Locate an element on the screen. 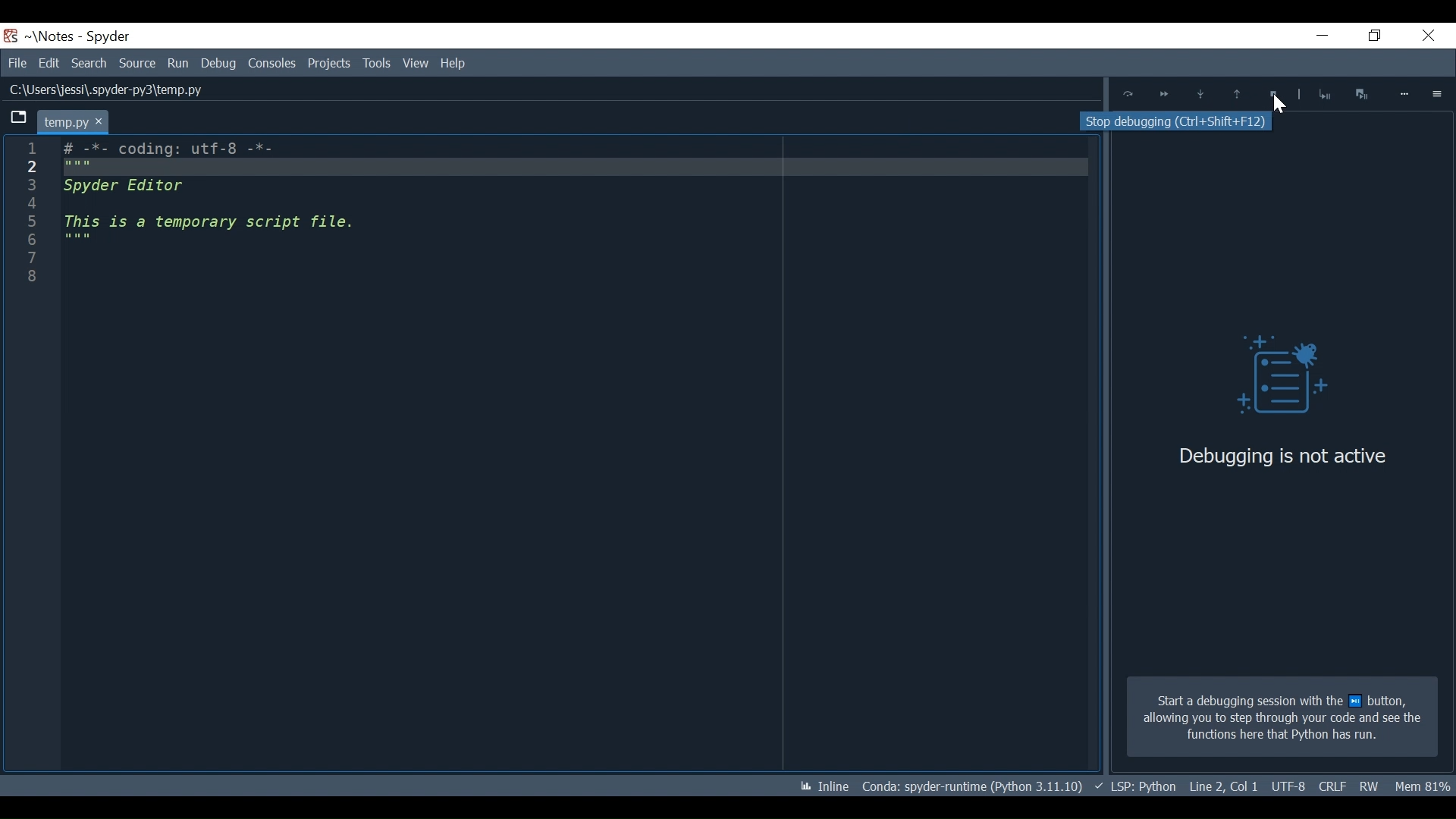  Debug is located at coordinates (218, 63).